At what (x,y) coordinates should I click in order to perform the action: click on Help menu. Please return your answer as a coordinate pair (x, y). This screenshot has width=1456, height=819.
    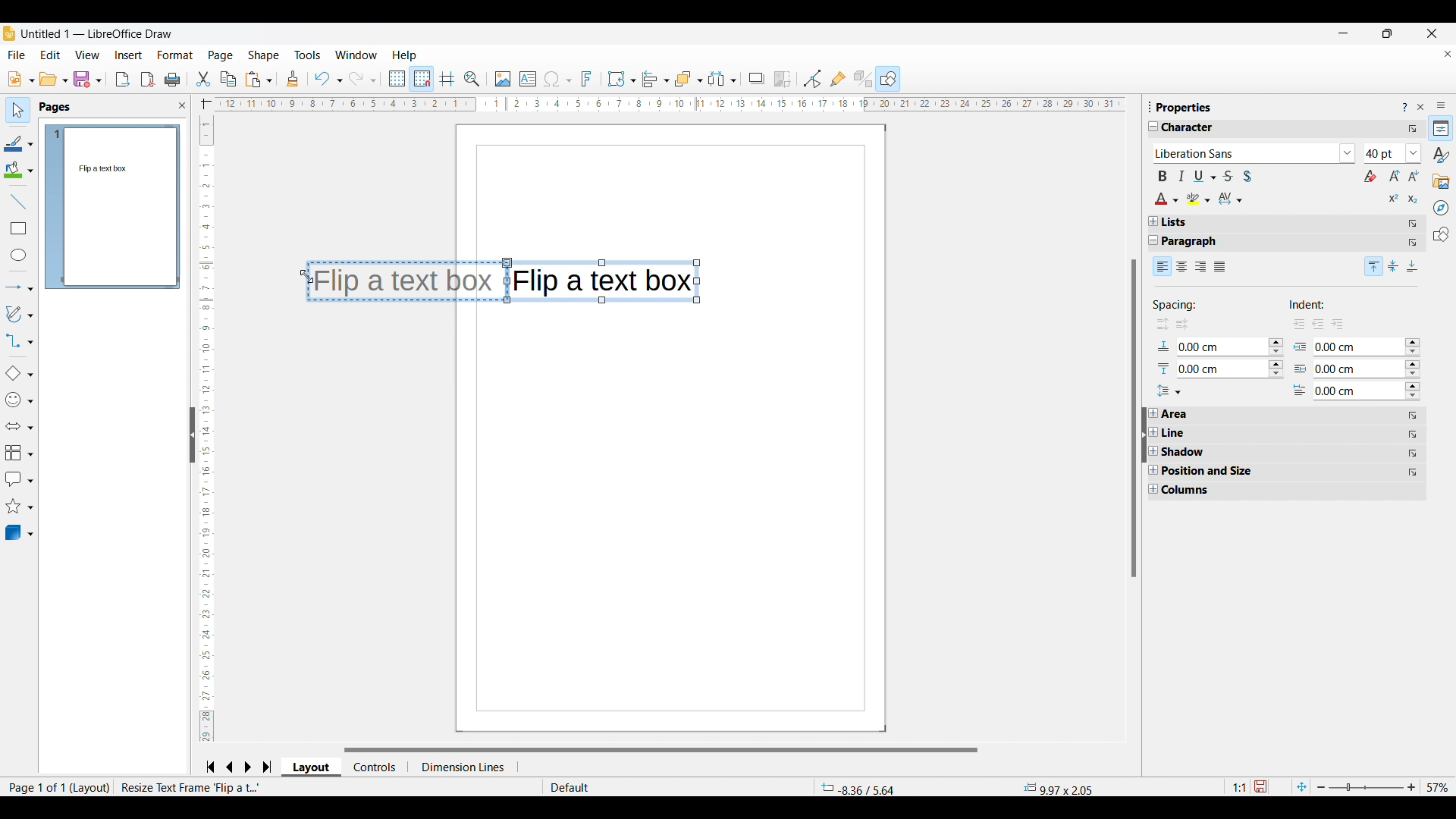
    Looking at the image, I should click on (405, 55).